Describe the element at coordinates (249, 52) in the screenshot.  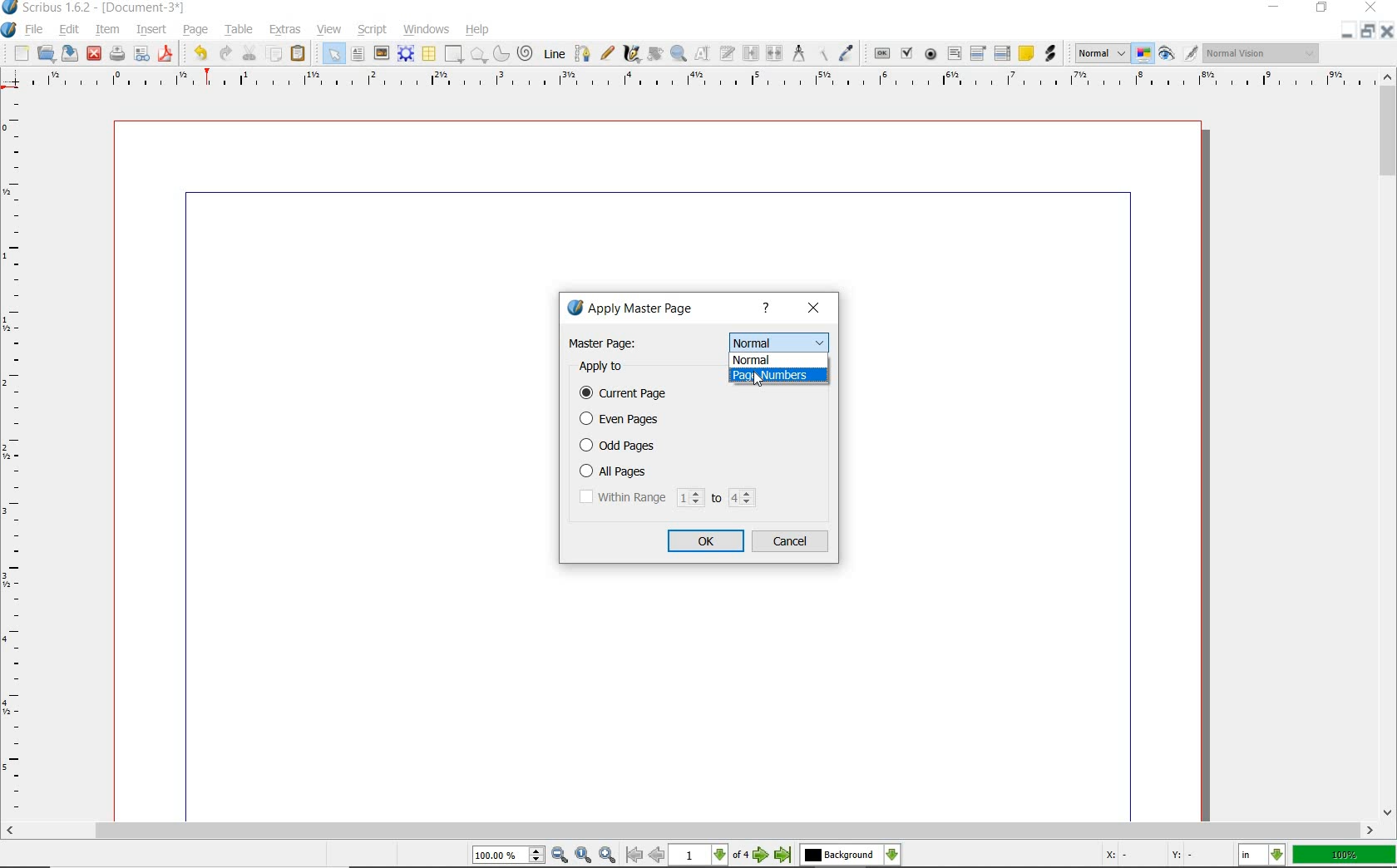
I see `cut` at that location.